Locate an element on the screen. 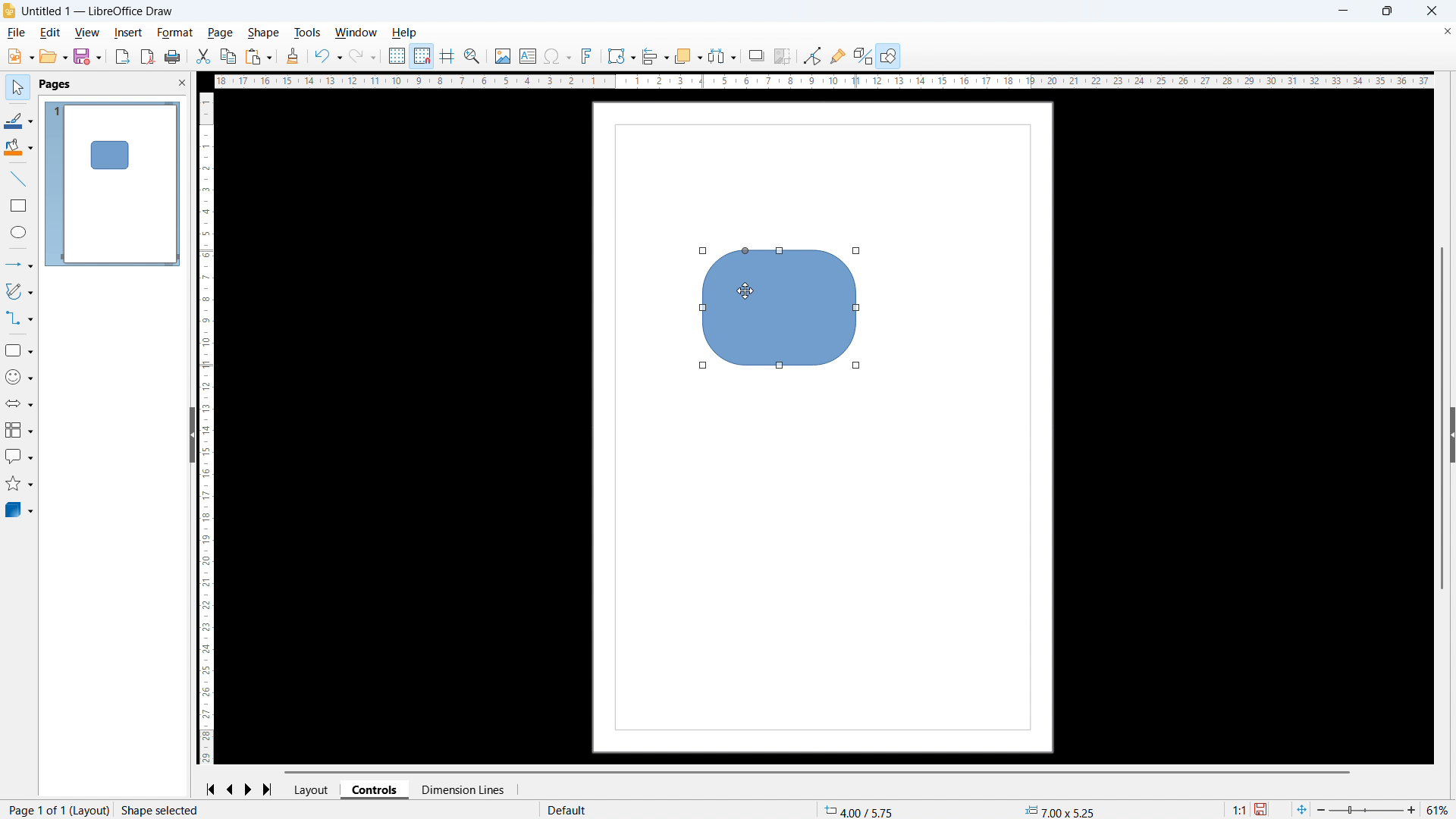 The height and width of the screenshot is (819, 1456). Basic shapes  is located at coordinates (18, 350).